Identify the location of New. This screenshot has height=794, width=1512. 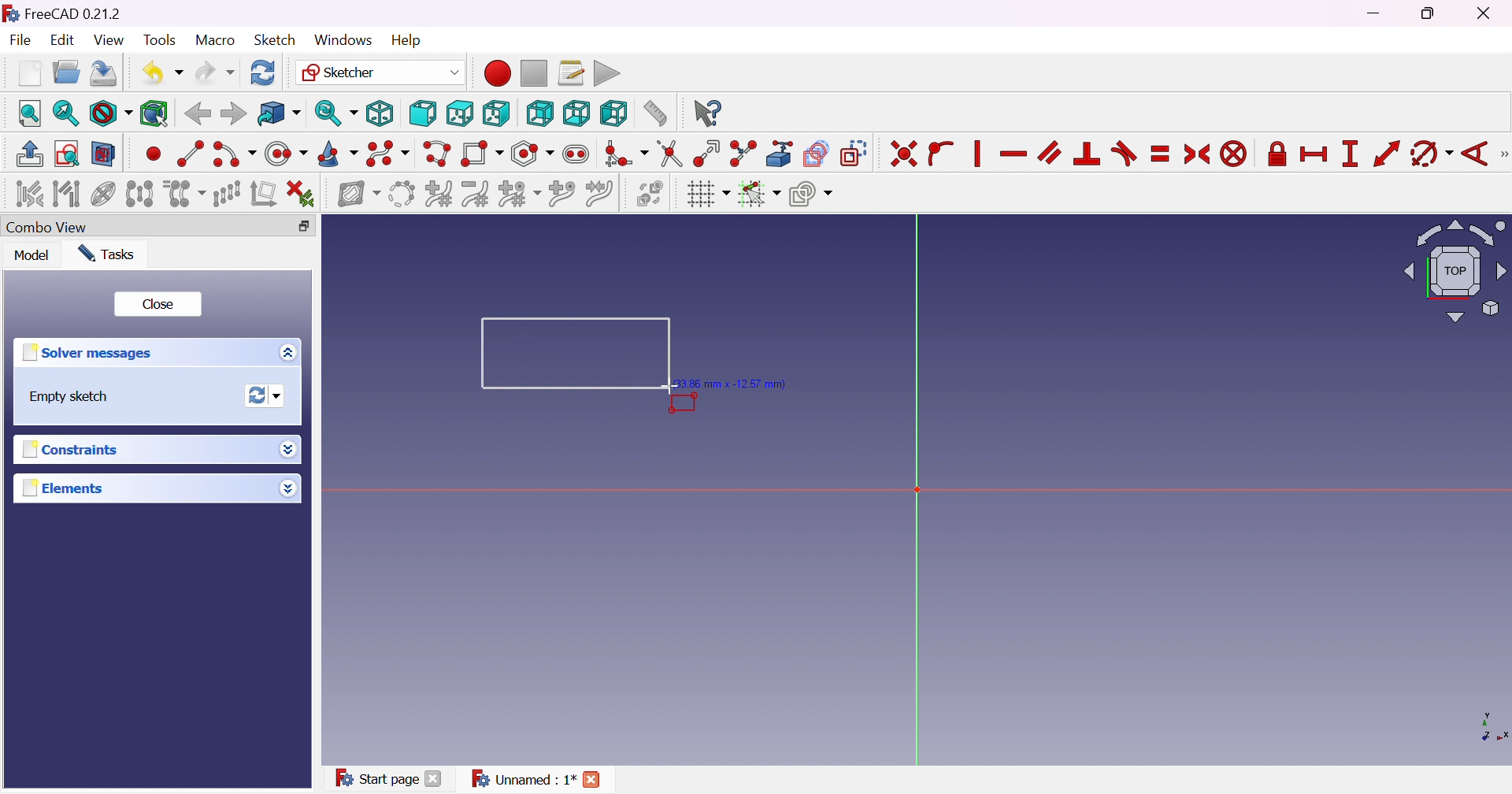
(30, 72).